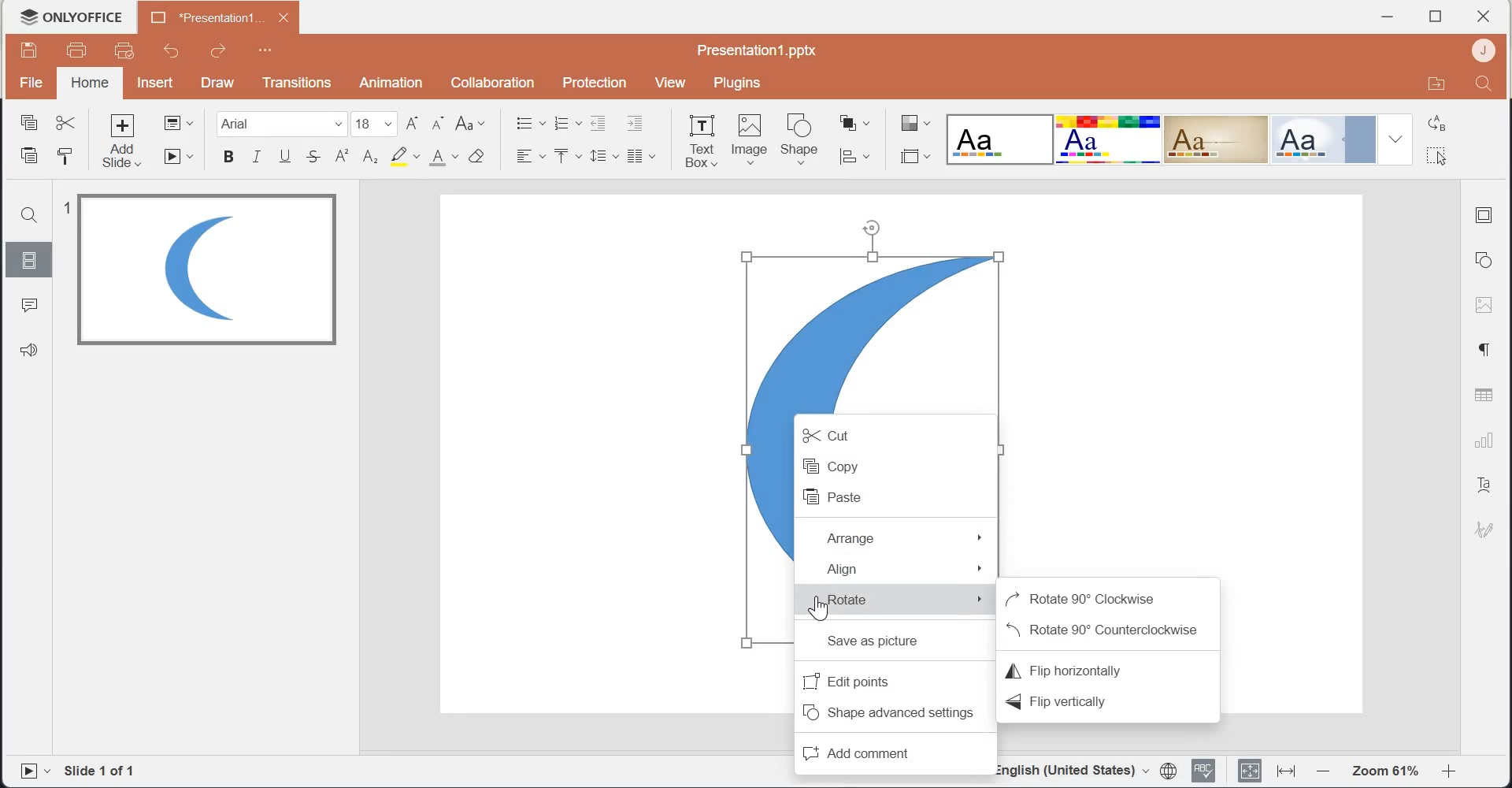 The image size is (1512, 788). What do you see at coordinates (67, 123) in the screenshot?
I see `Cut` at bounding box center [67, 123].